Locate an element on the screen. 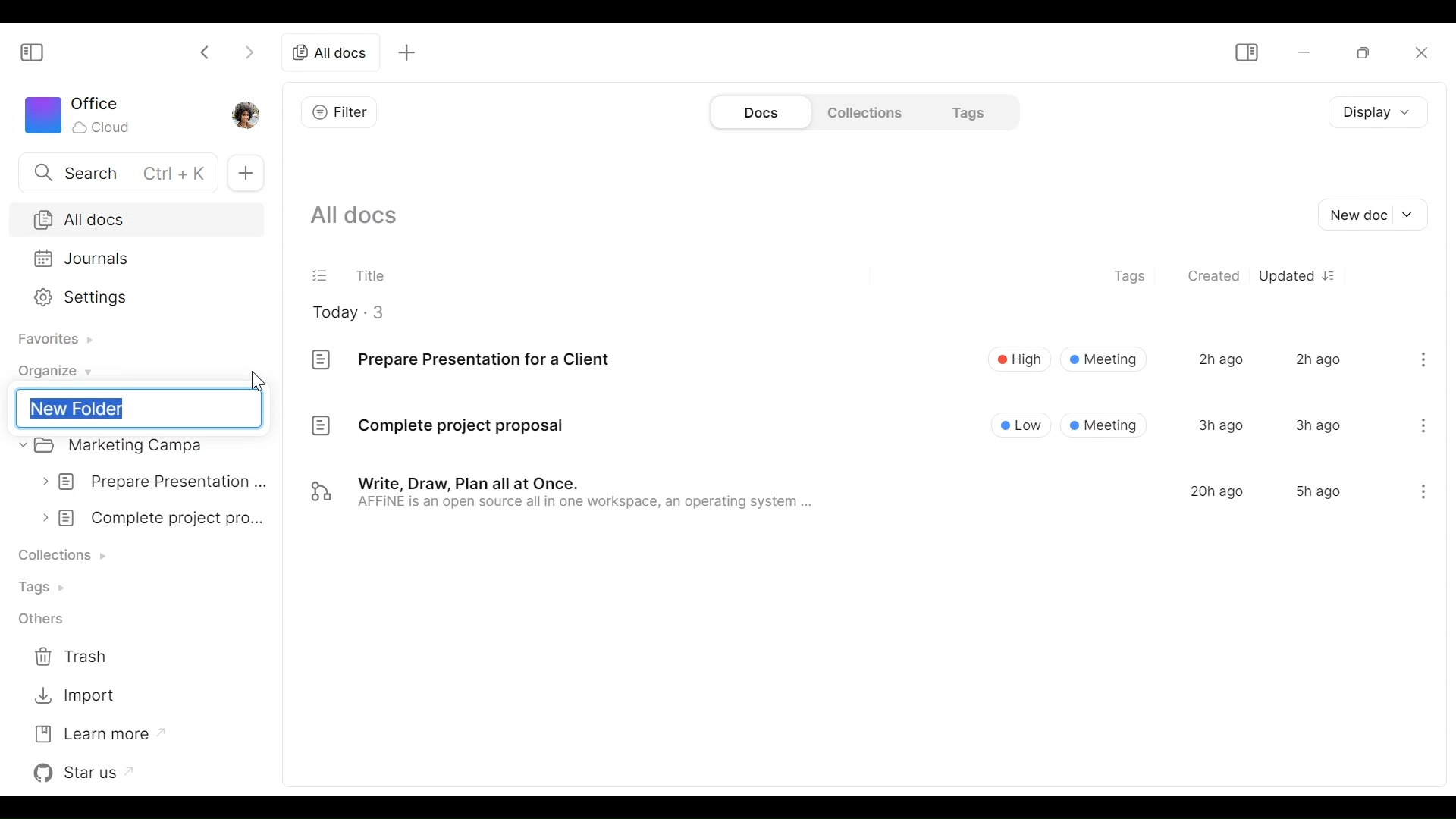 The height and width of the screenshot is (819, 1456). New Folder is located at coordinates (139, 409).